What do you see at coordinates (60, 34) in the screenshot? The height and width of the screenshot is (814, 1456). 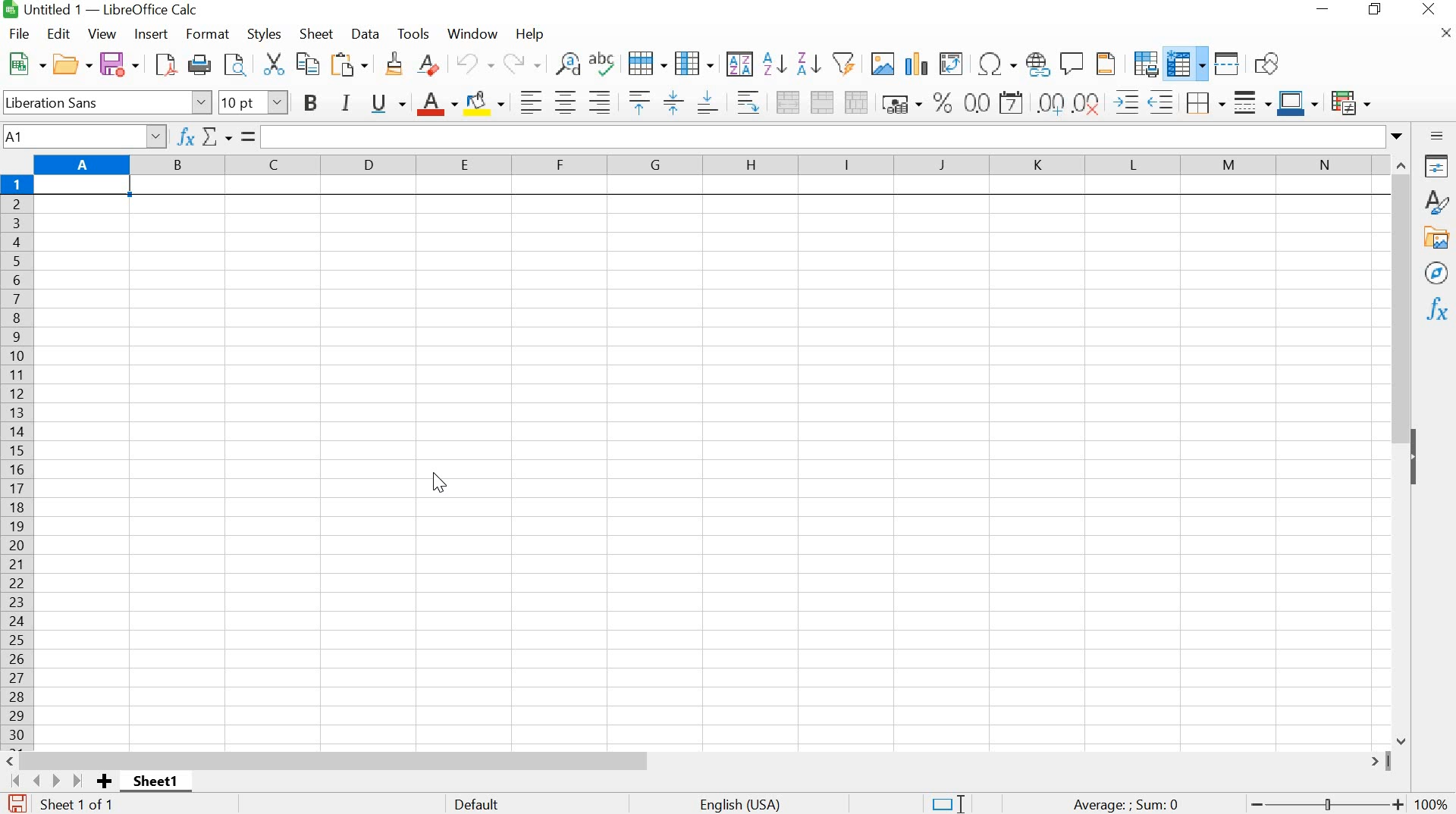 I see `EDIT` at bounding box center [60, 34].